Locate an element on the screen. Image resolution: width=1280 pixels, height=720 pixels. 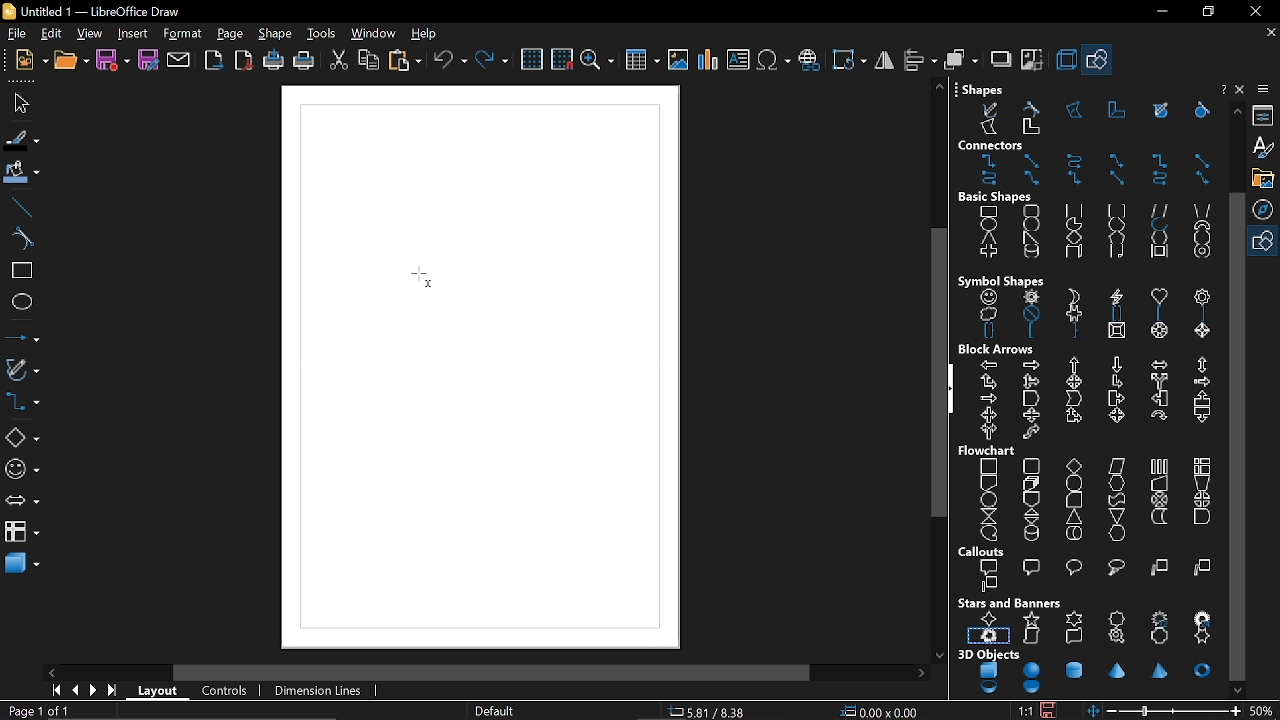
Navigator is located at coordinates (1266, 209).